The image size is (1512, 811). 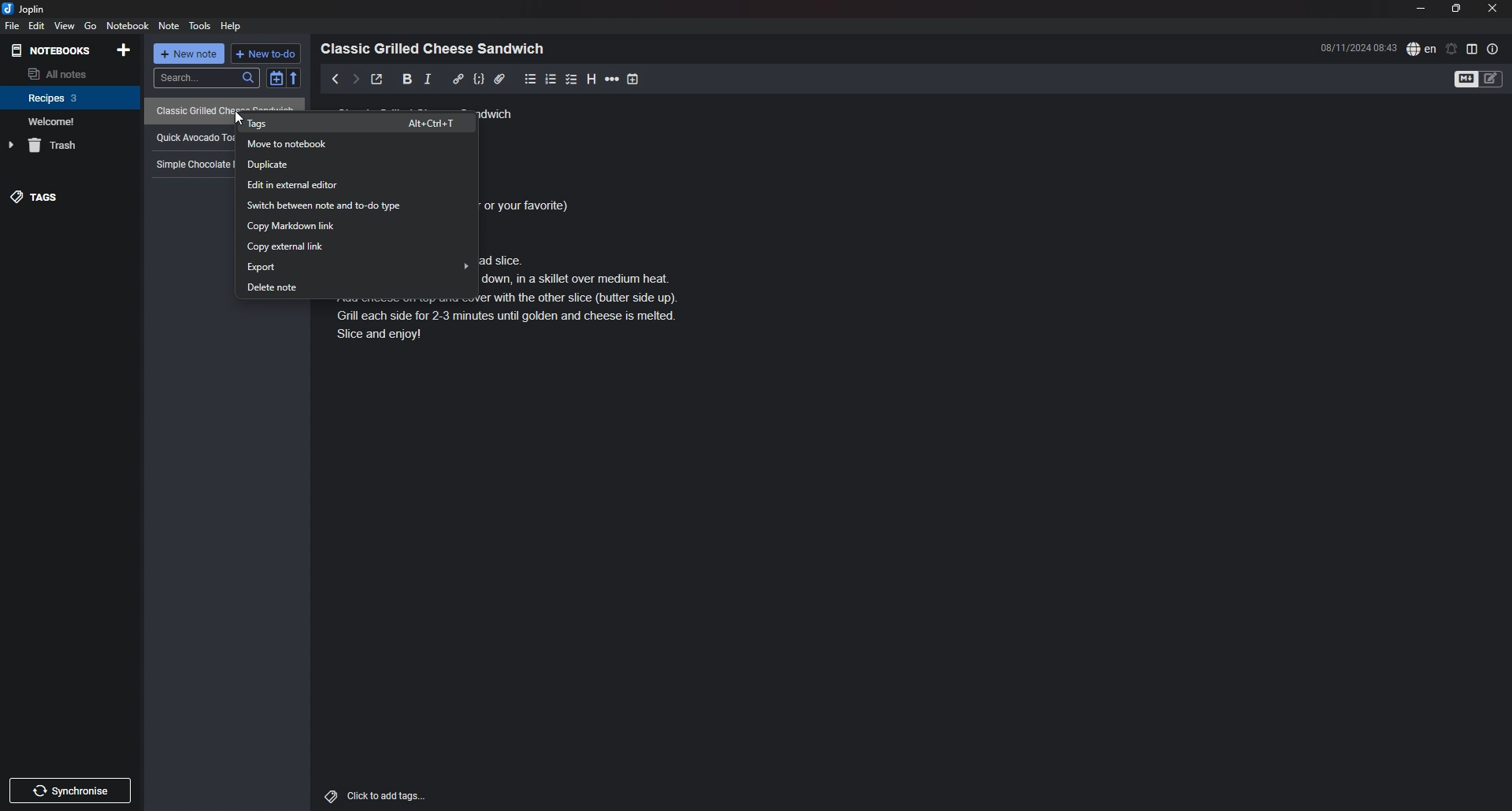 I want to click on file, so click(x=11, y=25).